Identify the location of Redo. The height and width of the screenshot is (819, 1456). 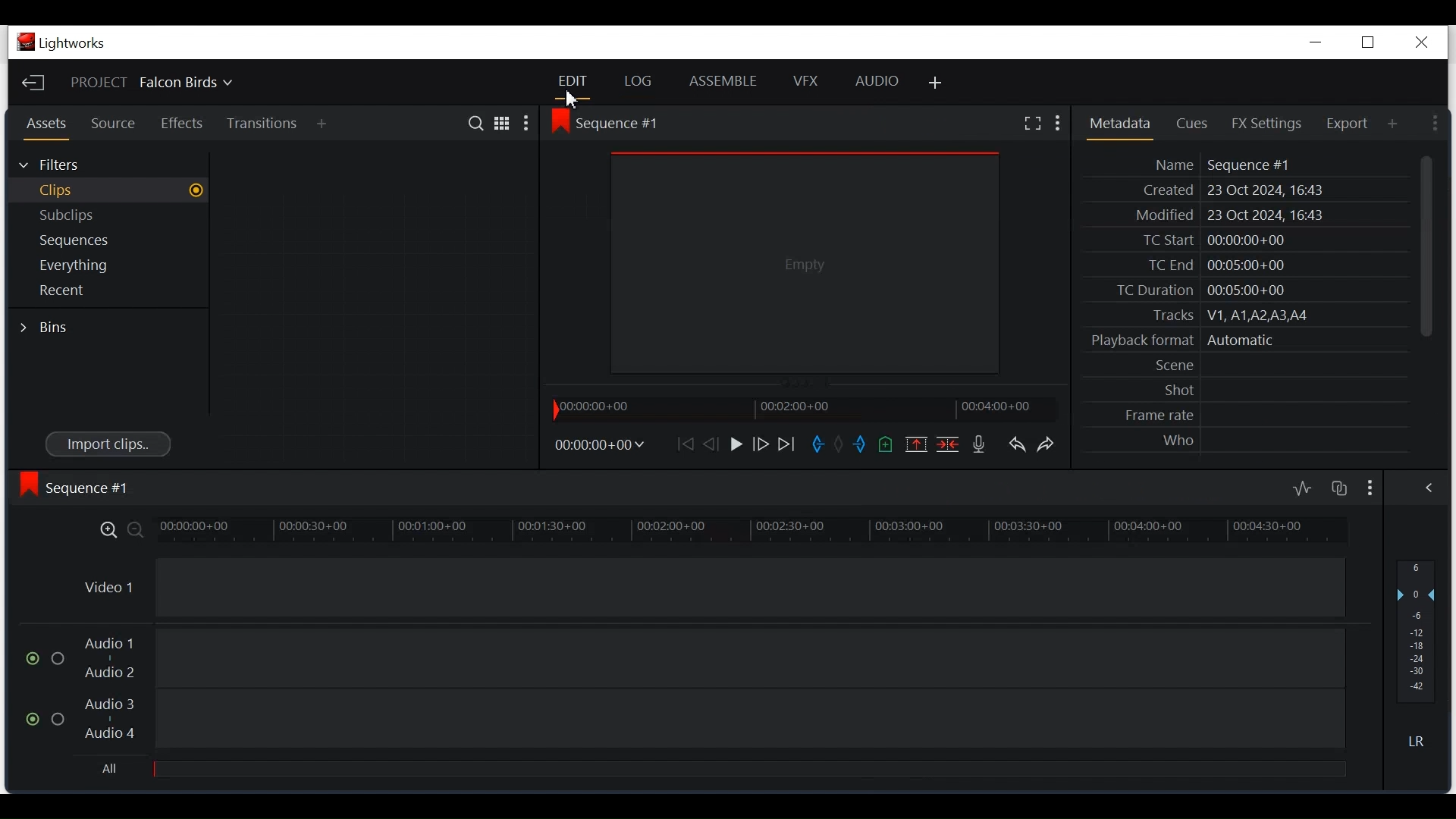
(1047, 445).